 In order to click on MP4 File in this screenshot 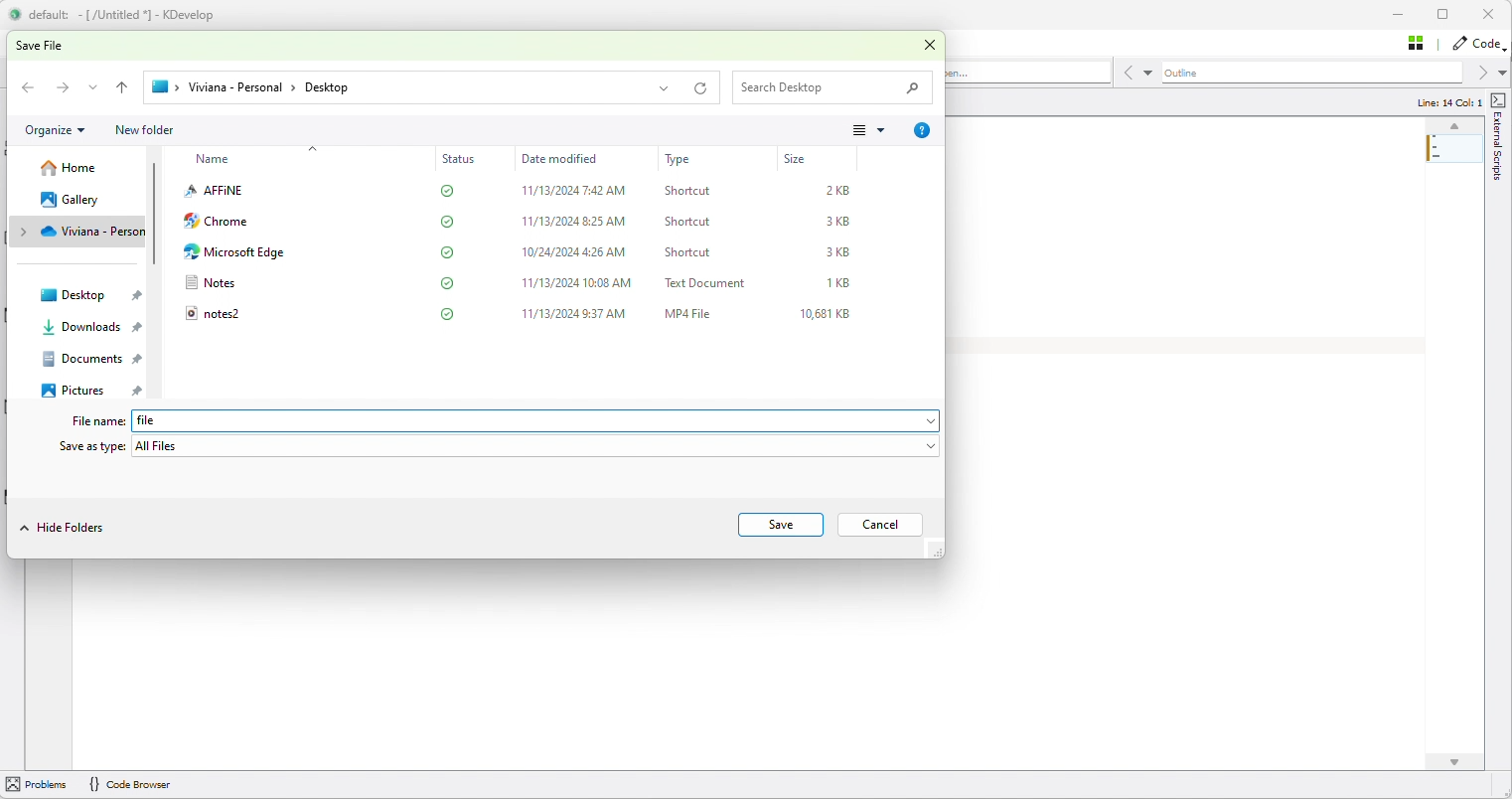, I will do `click(689, 312)`.